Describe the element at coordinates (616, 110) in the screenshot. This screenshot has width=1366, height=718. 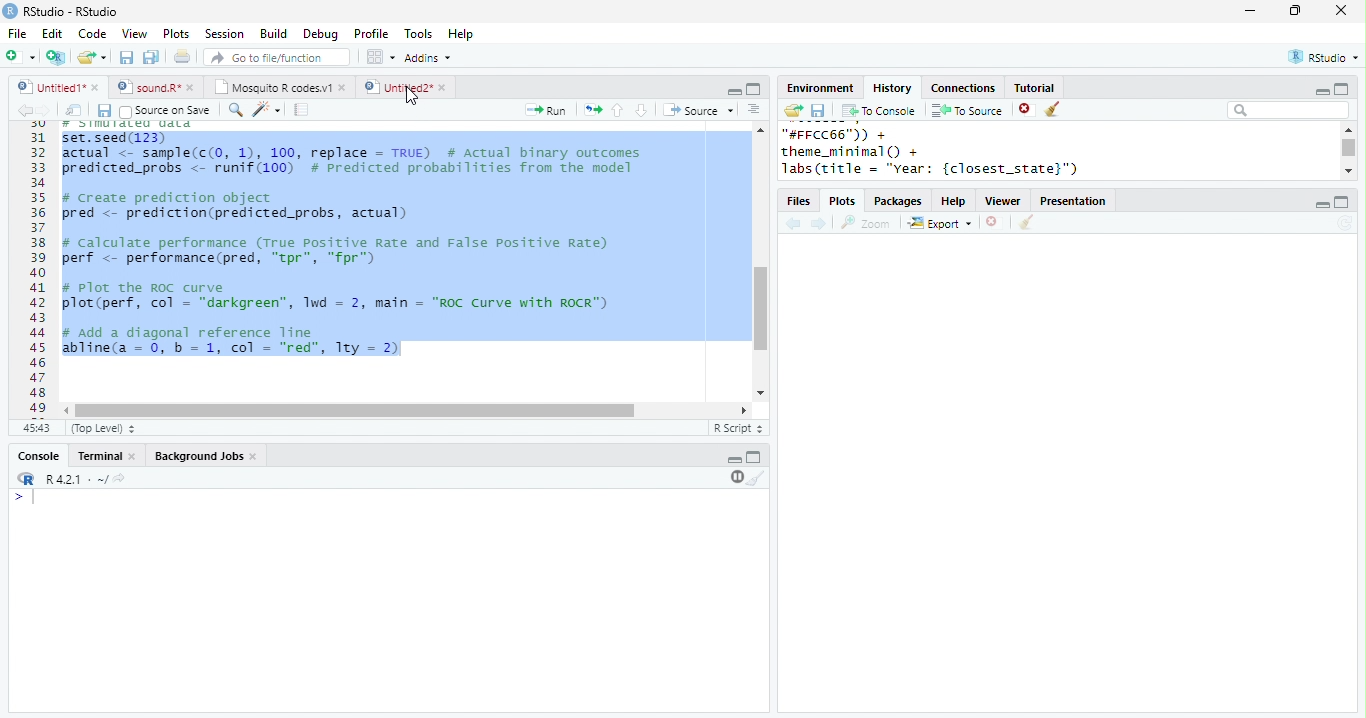
I see `up` at that location.